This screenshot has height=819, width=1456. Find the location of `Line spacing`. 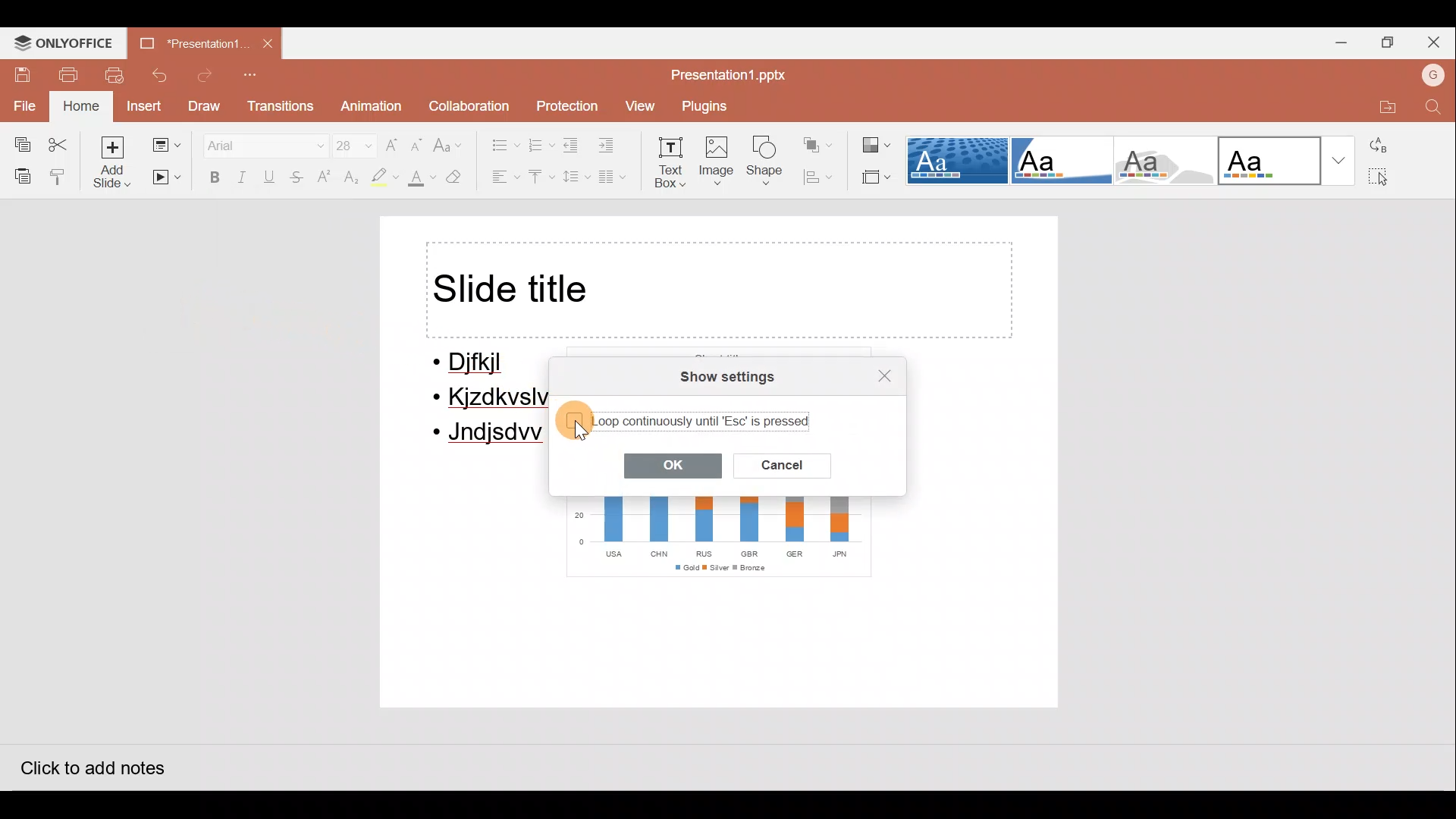

Line spacing is located at coordinates (573, 177).